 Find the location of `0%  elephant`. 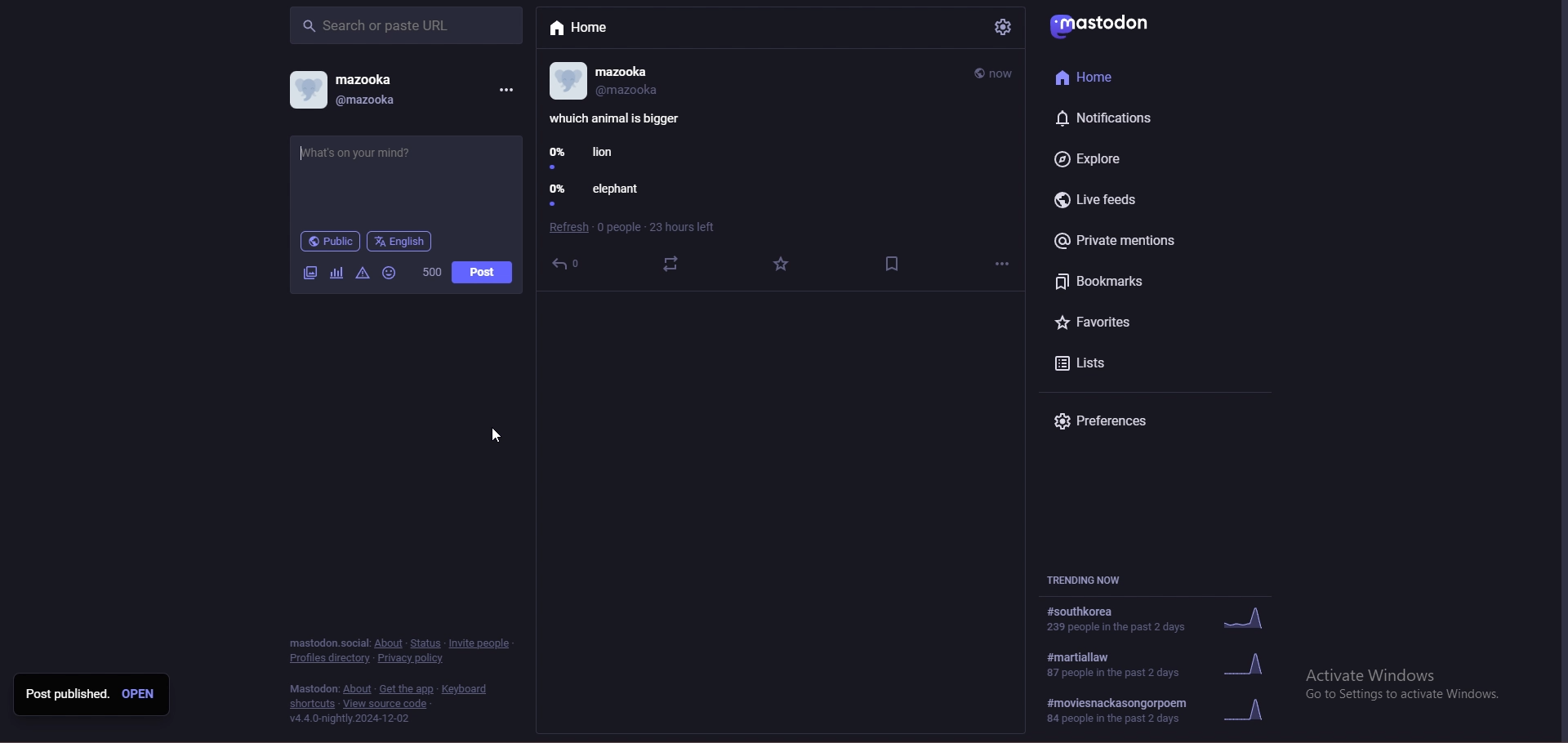

0%  elephant is located at coordinates (601, 194).